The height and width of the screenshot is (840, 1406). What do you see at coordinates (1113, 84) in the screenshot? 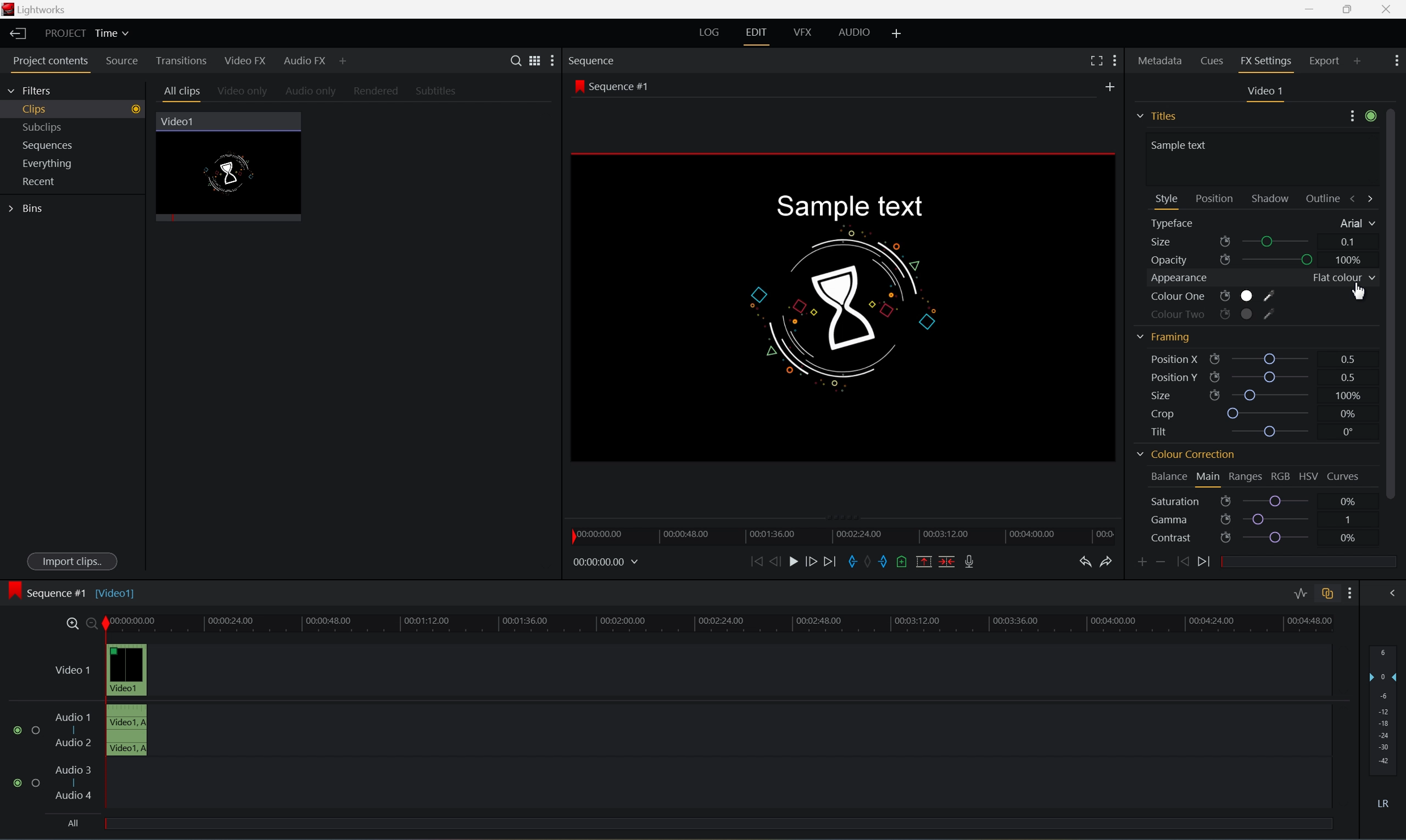
I see `add` at bounding box center [1113, 84].